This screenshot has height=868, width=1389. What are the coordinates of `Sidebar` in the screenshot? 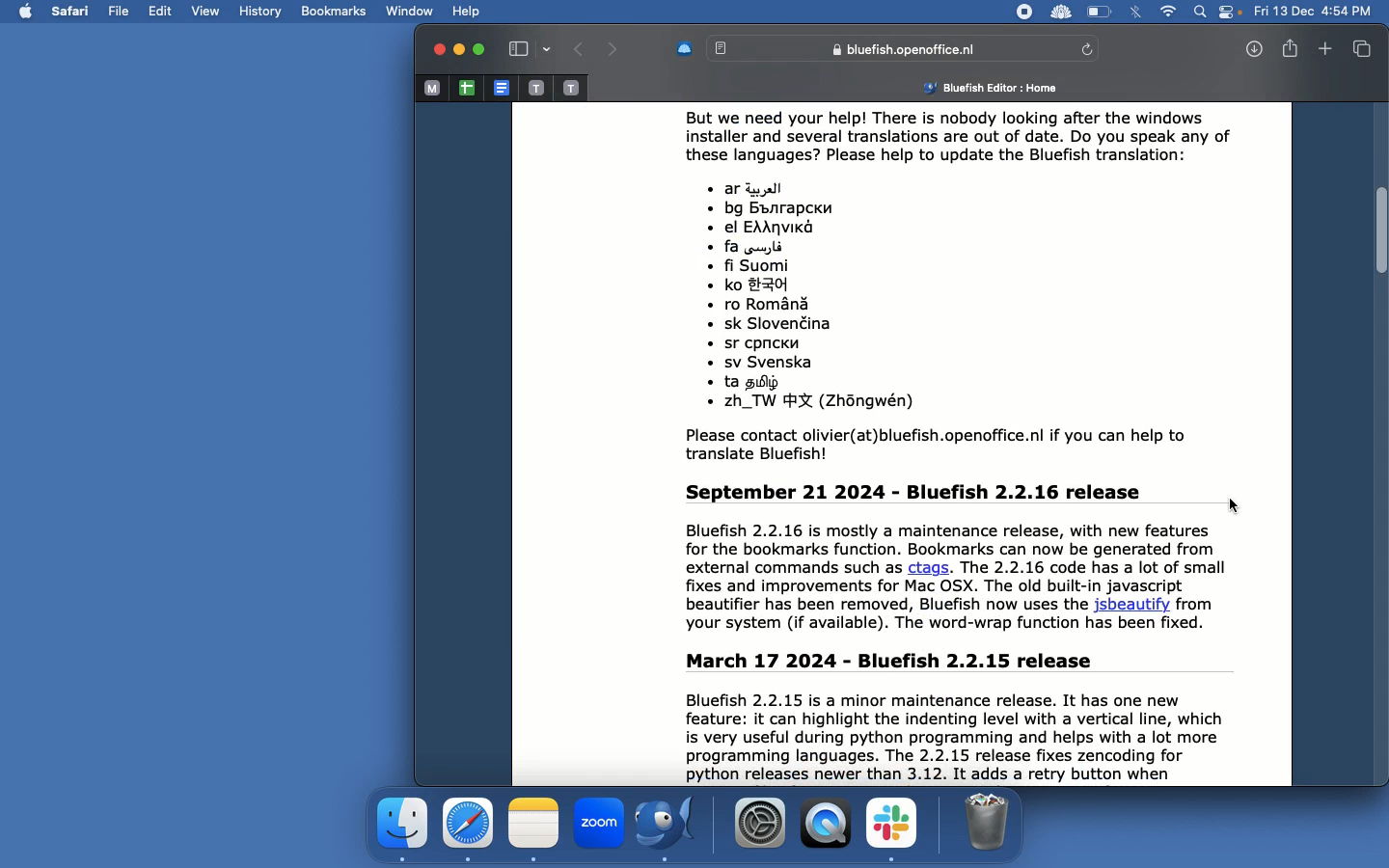 It's located at (529, 49).